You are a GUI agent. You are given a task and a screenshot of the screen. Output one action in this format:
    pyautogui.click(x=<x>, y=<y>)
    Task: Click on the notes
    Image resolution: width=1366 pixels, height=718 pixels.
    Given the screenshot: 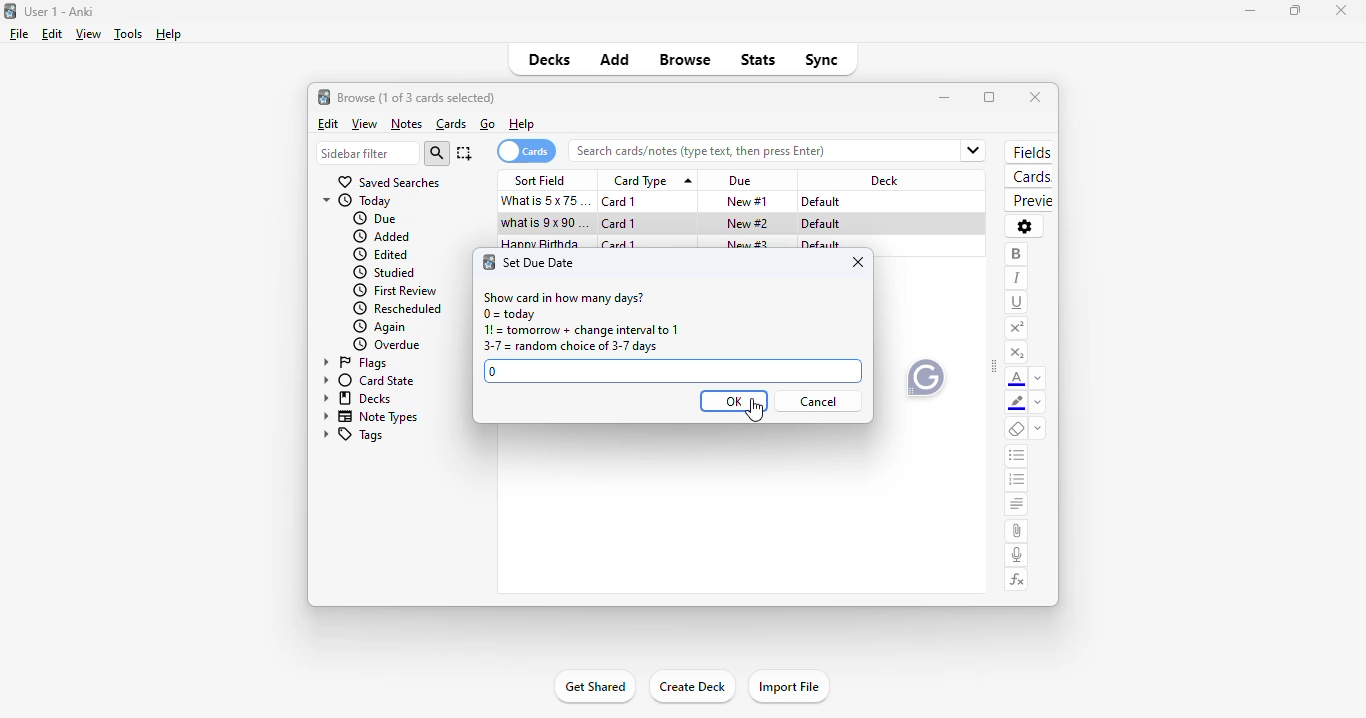 What is the action you would take?
    pyautogui.click(x=407, y=124)
    